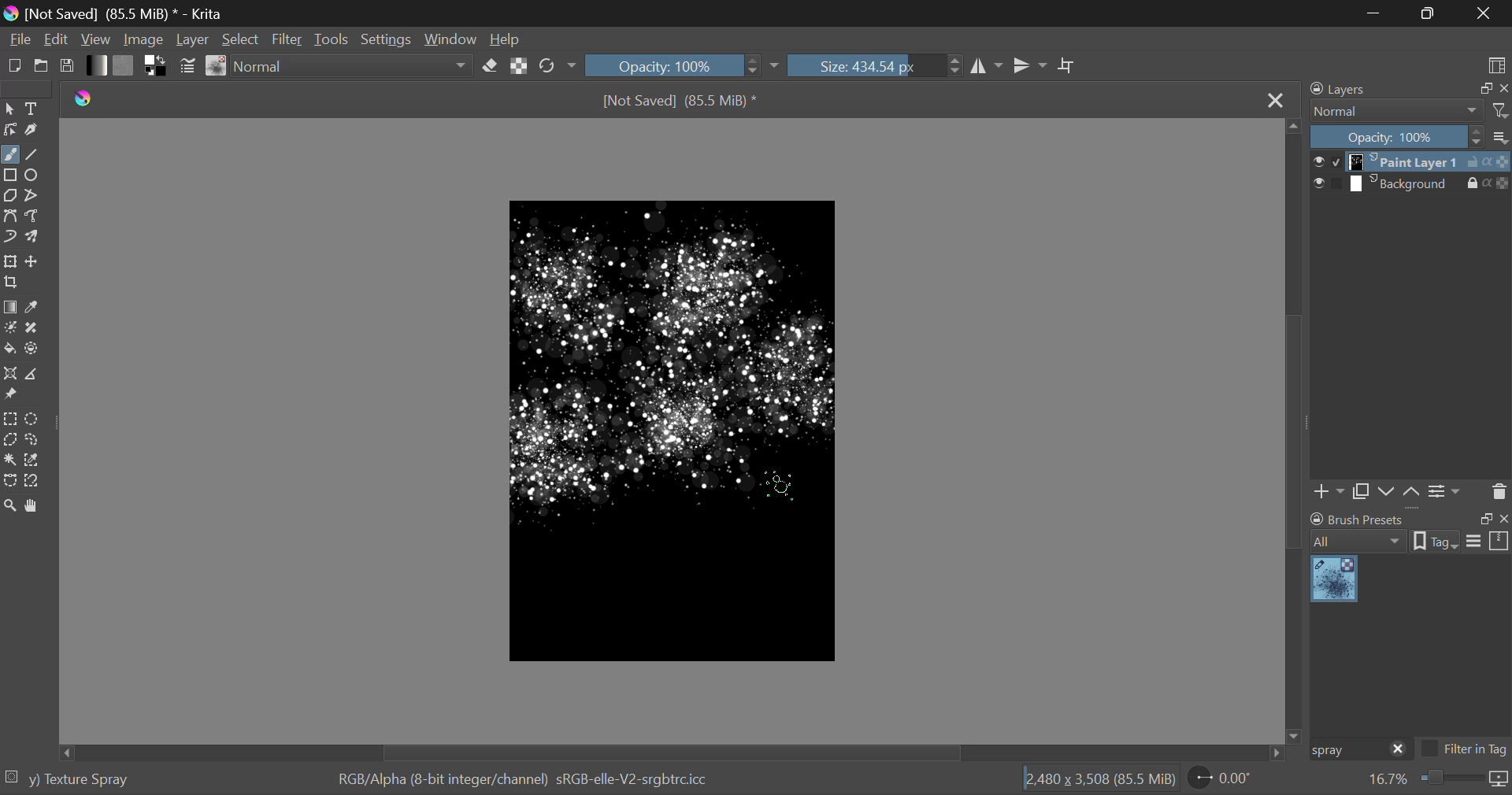 The image size is (1512, 795). What do you see at coordinates (1501, 136) in the screenshot?
I see `more` at bounding box center [1501, 136].